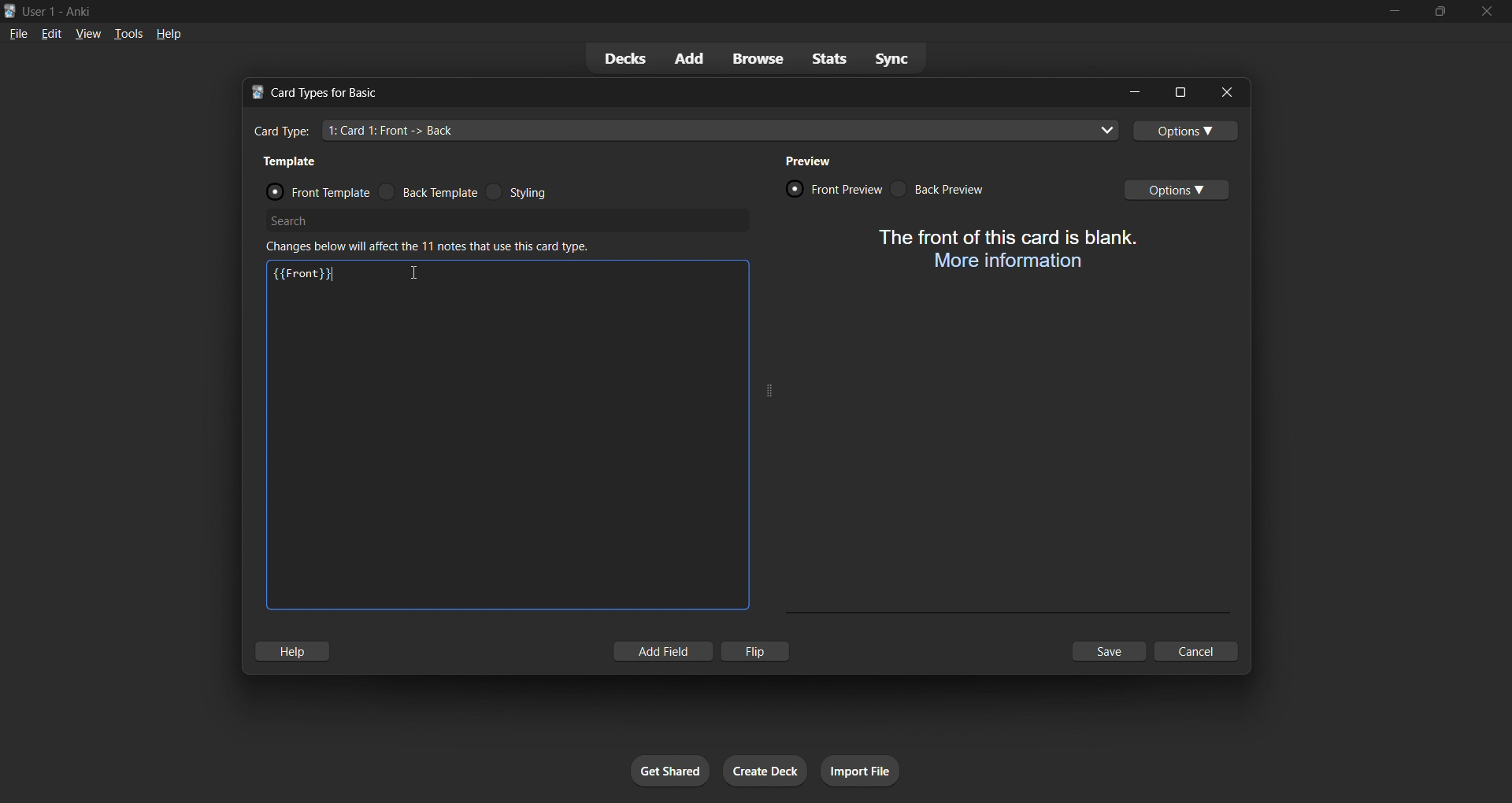  What do you see at coordinates (865, 772) in the screenshot?
I see `import file` at bounding box center [865, 772].